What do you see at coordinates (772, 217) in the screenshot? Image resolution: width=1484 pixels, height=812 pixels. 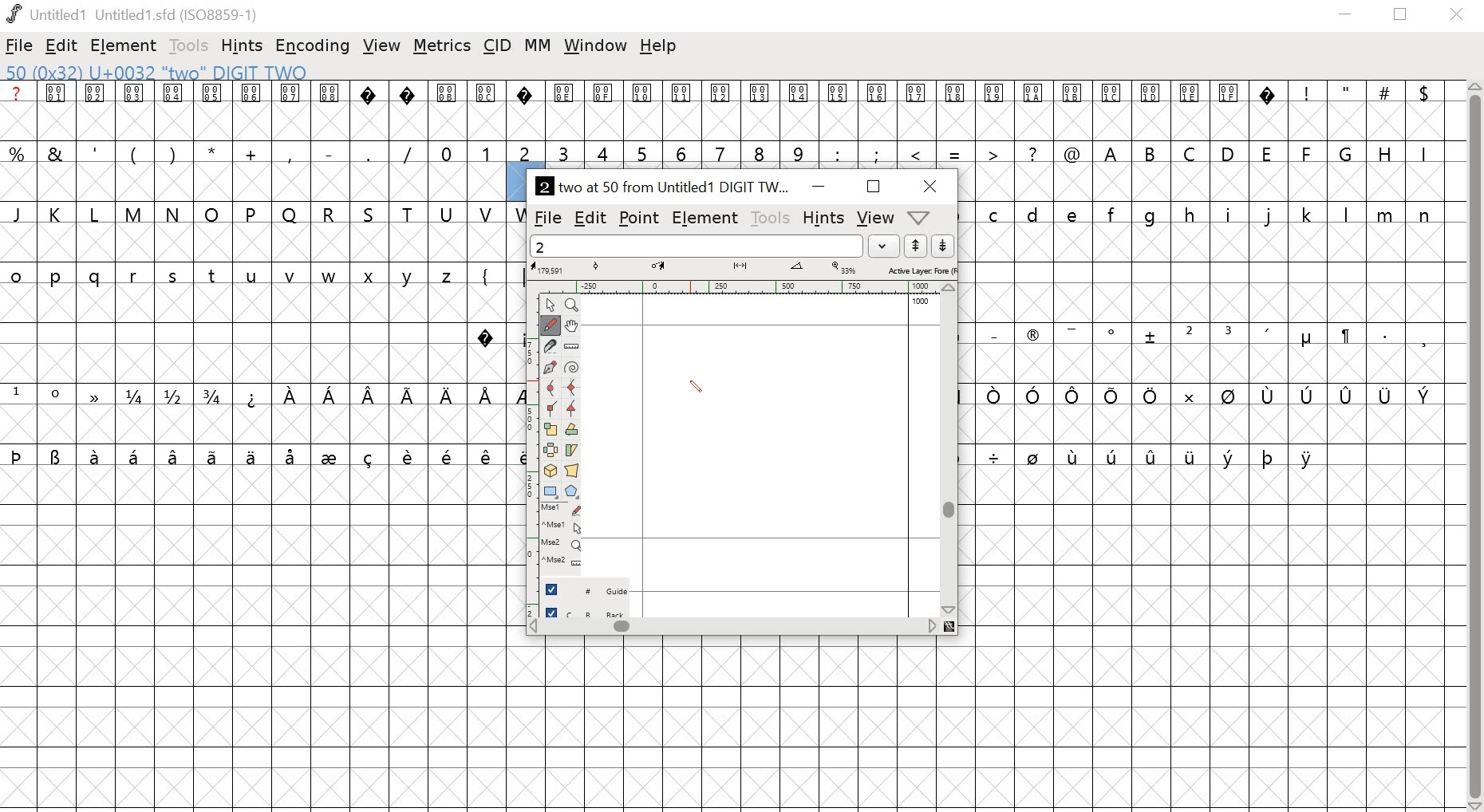 I see `tools` at bounding box center [772, 217].